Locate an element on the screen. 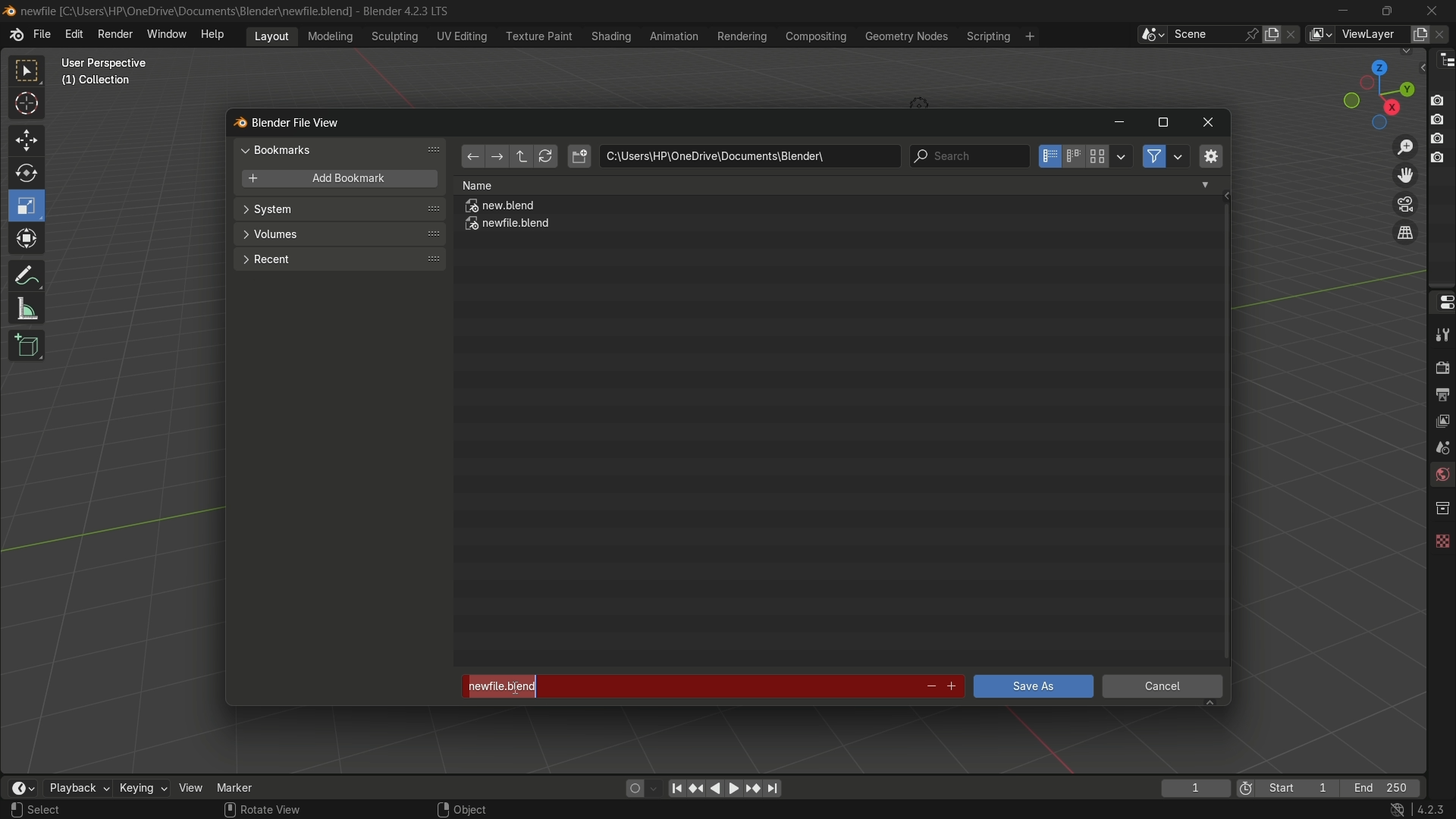 The width and height of the screenshot is (1456, 819). new scene is located at coordinates (1275, 34).